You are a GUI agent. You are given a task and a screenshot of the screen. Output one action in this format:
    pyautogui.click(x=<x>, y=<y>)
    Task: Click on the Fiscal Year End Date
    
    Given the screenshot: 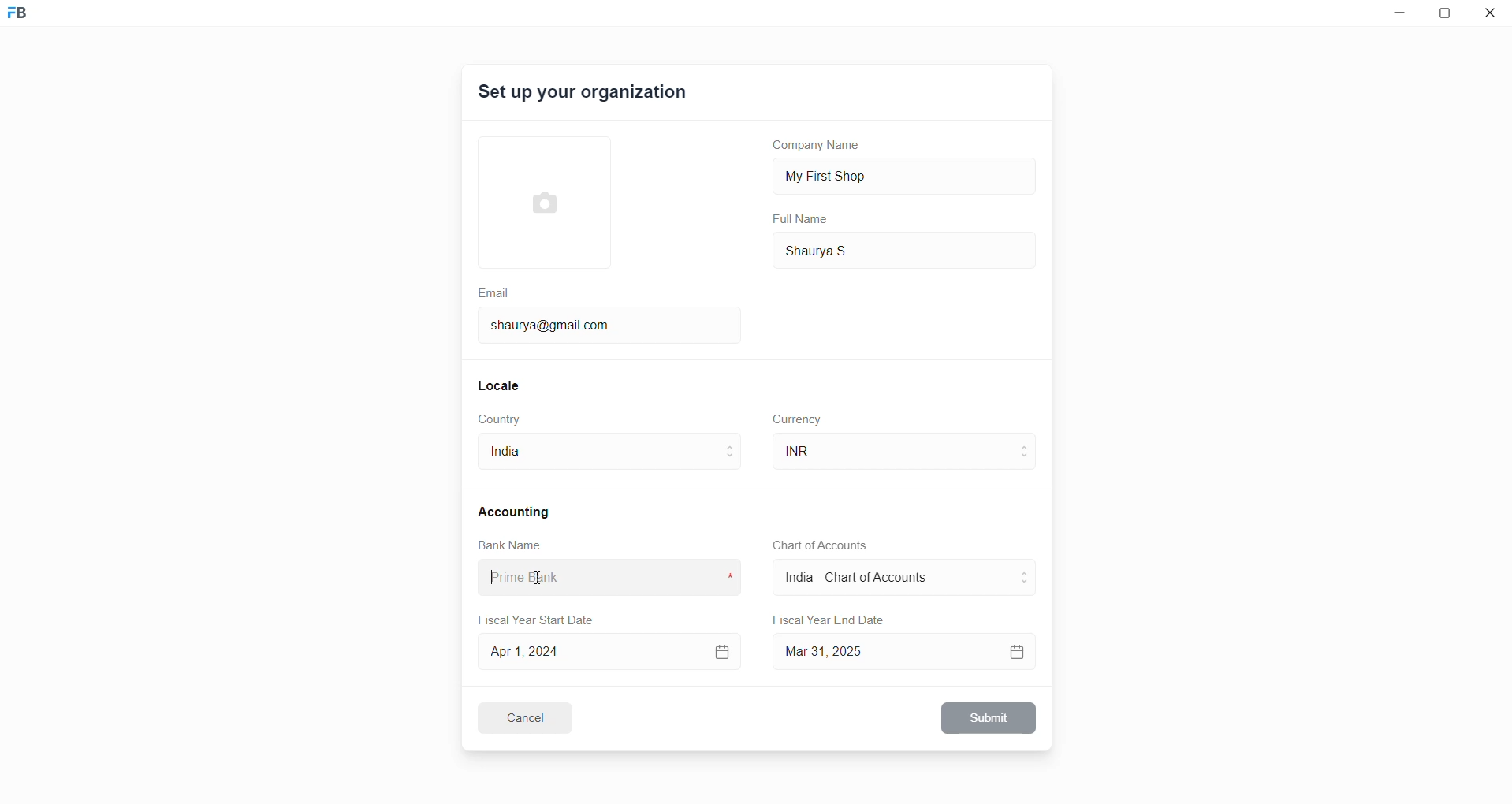 What is the action you would take?
    pyautogui.click(x=830, y=620)
    